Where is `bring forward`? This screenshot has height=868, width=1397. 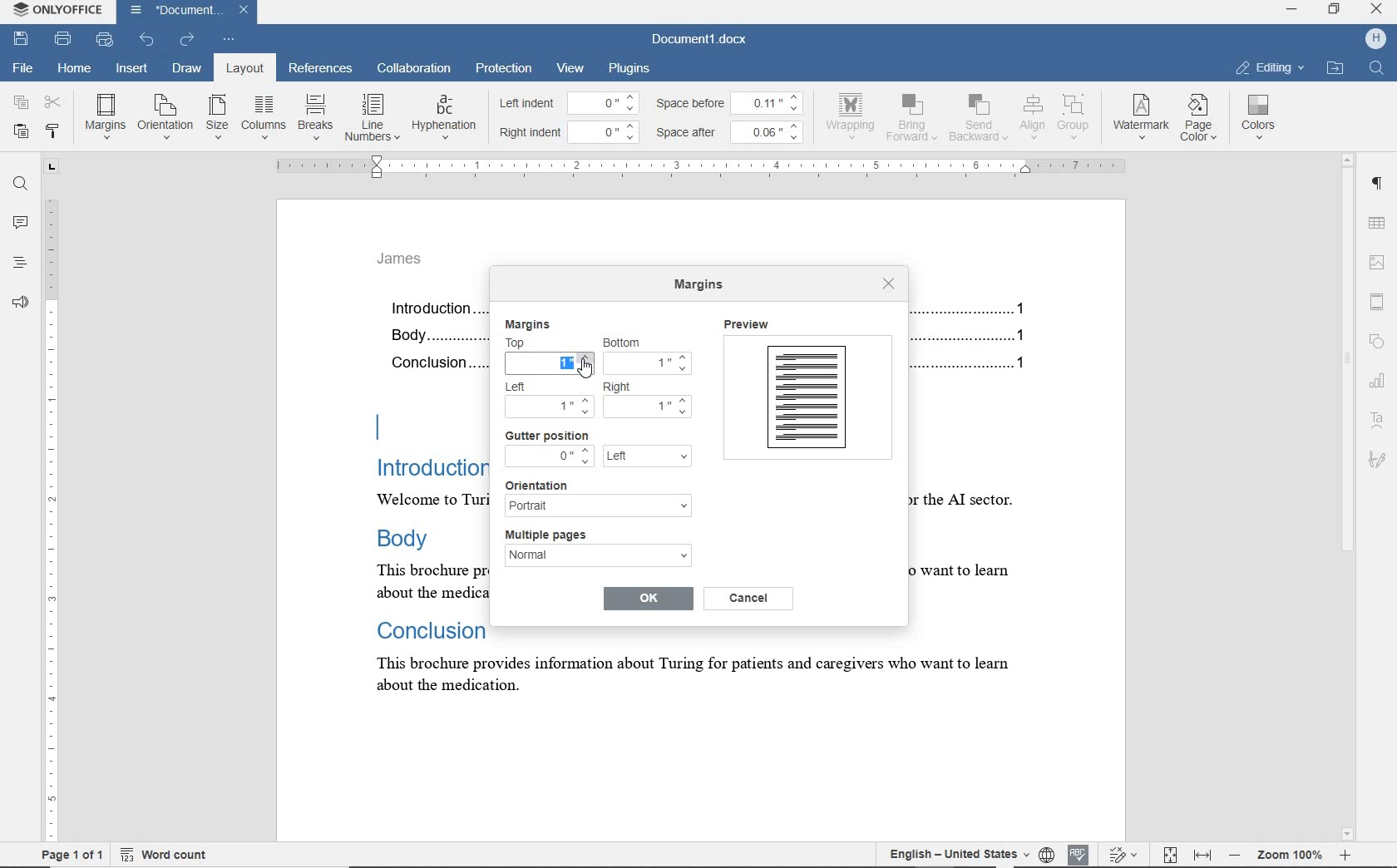 bring forward is located at coordinates (914, 121).